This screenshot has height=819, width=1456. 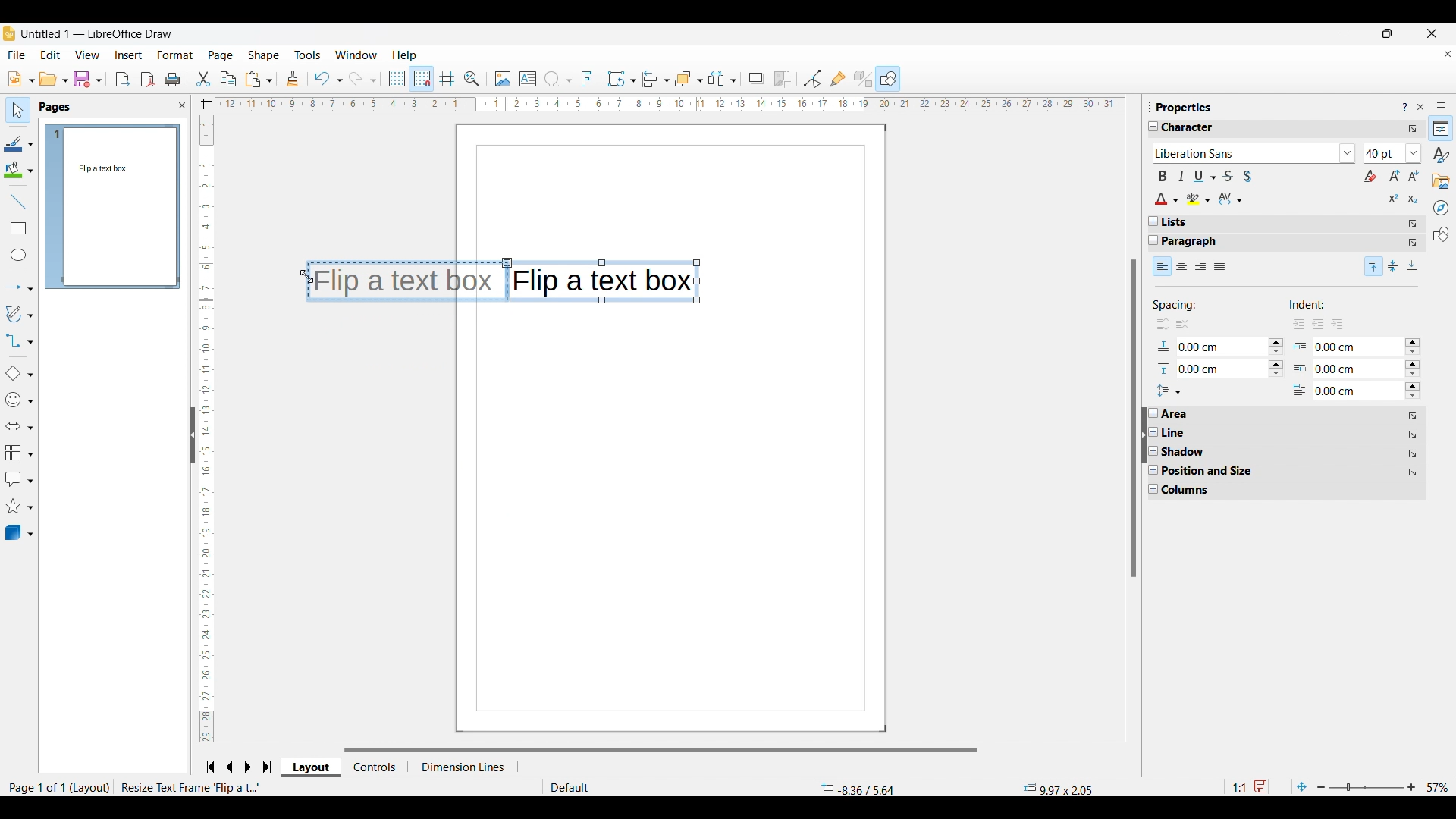 What do you see at coordinates (622, 79) in the screenshot?
I see `Transformation options` at bounding box center [622, 79].